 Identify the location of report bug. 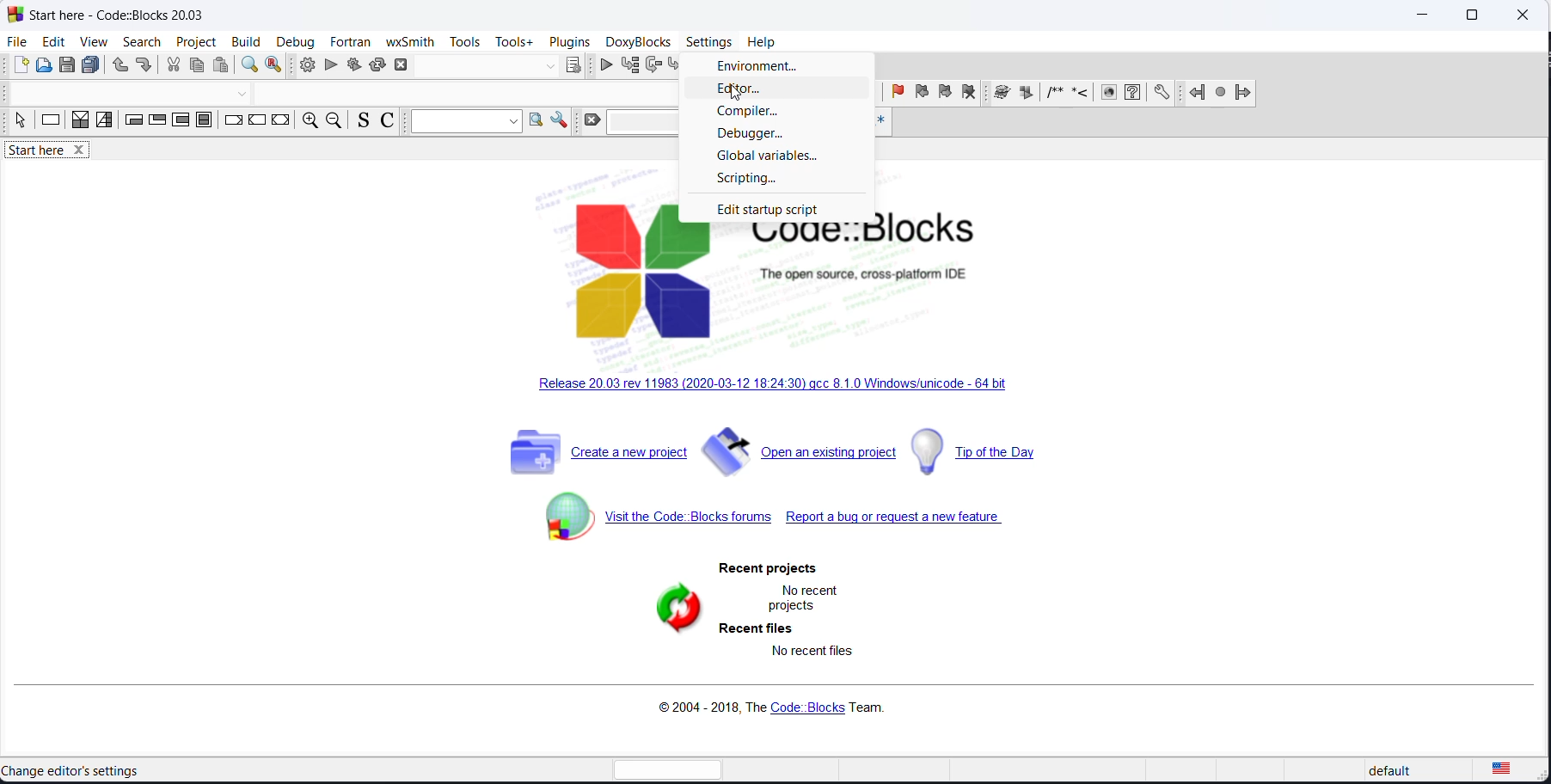
(923, 520).